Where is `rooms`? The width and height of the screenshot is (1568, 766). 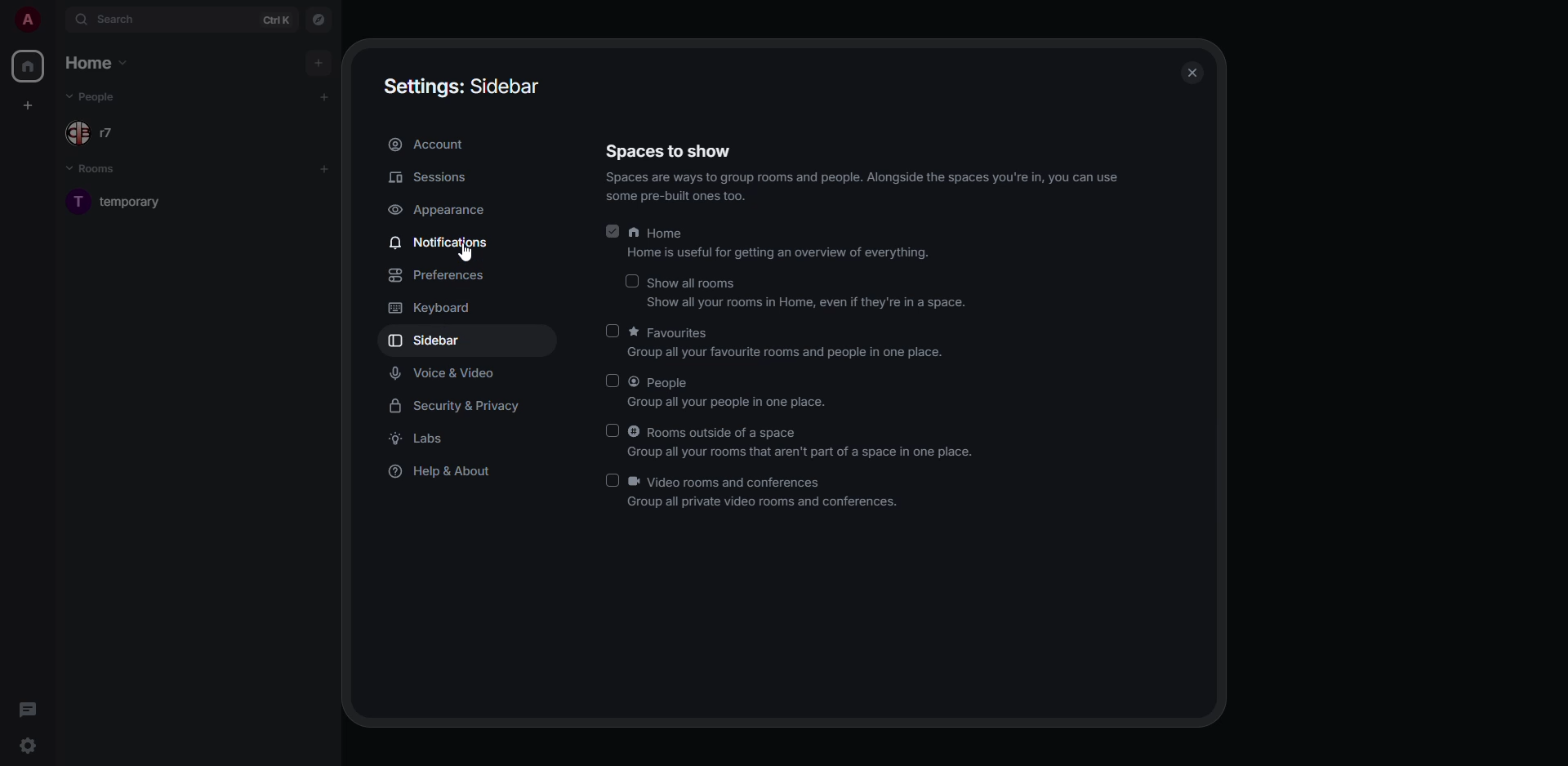 rooms is located at coordinates (101, 170).